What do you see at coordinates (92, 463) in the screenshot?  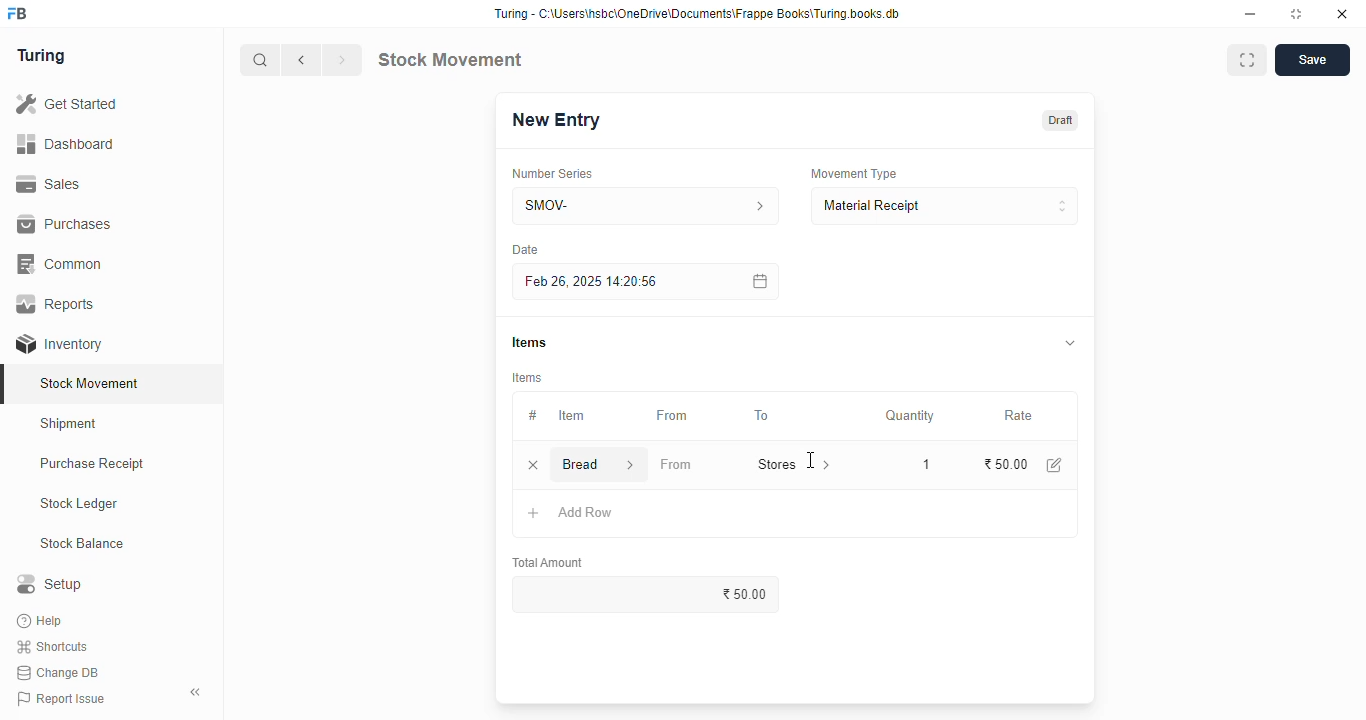 I see `purchase receipt` at bounding box center [92, 463].